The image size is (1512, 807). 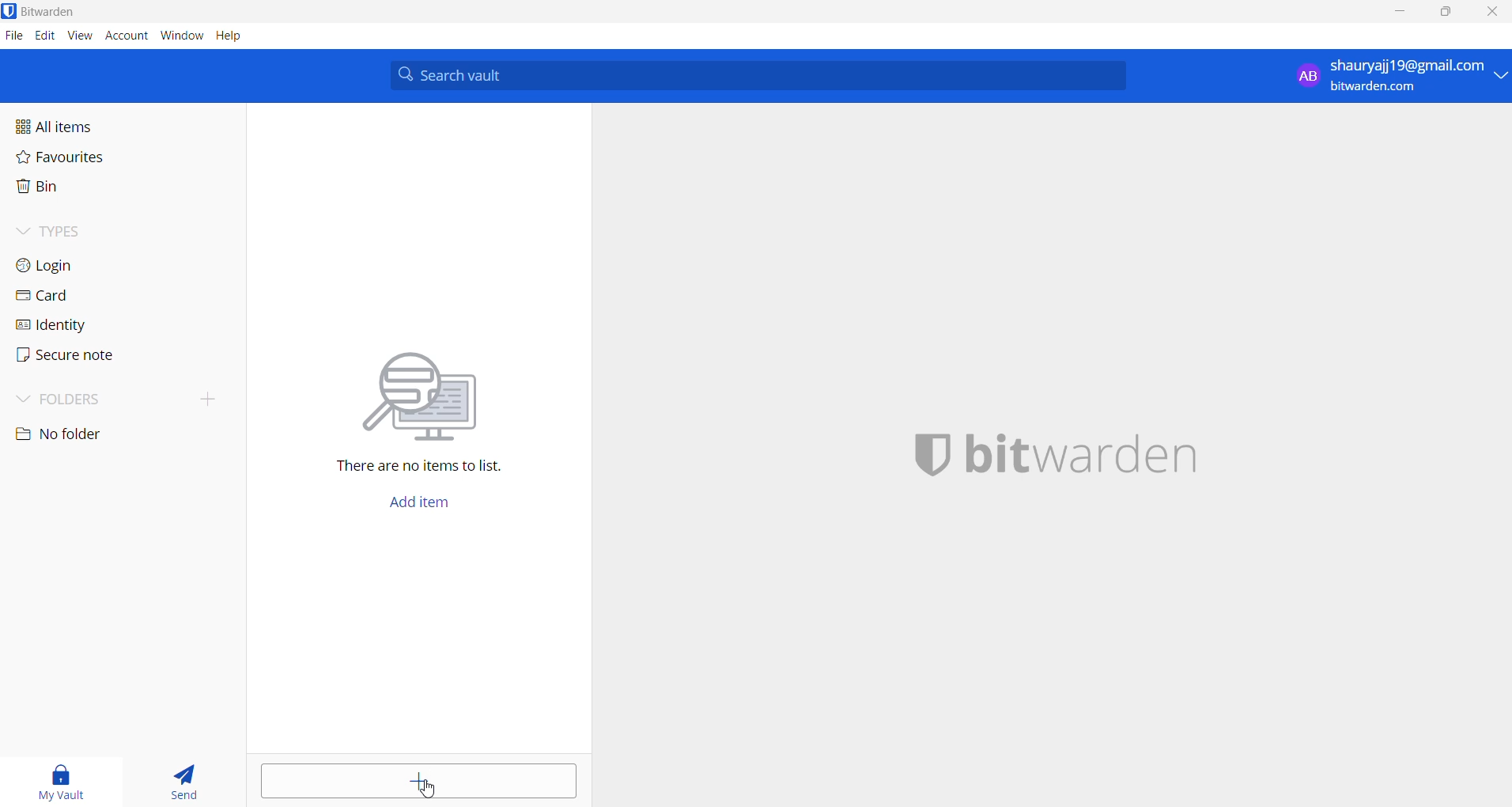 What do you see at coordinates (239, 36) in the screenshot?
I see `help` at bounding box center [239, 36].